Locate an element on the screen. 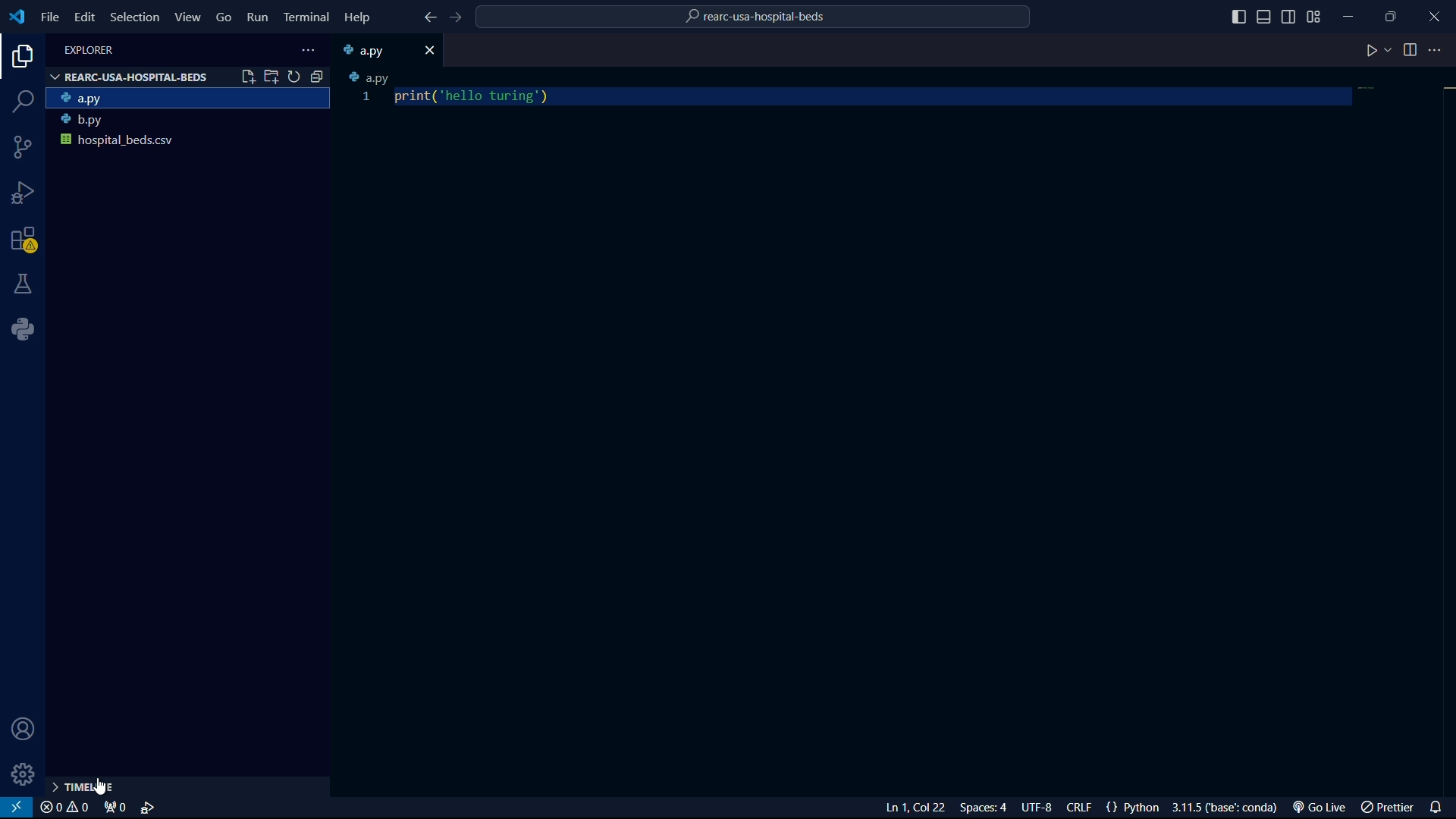 The image size is (1456, 819). edit menu is located at coordinates (85, 17).